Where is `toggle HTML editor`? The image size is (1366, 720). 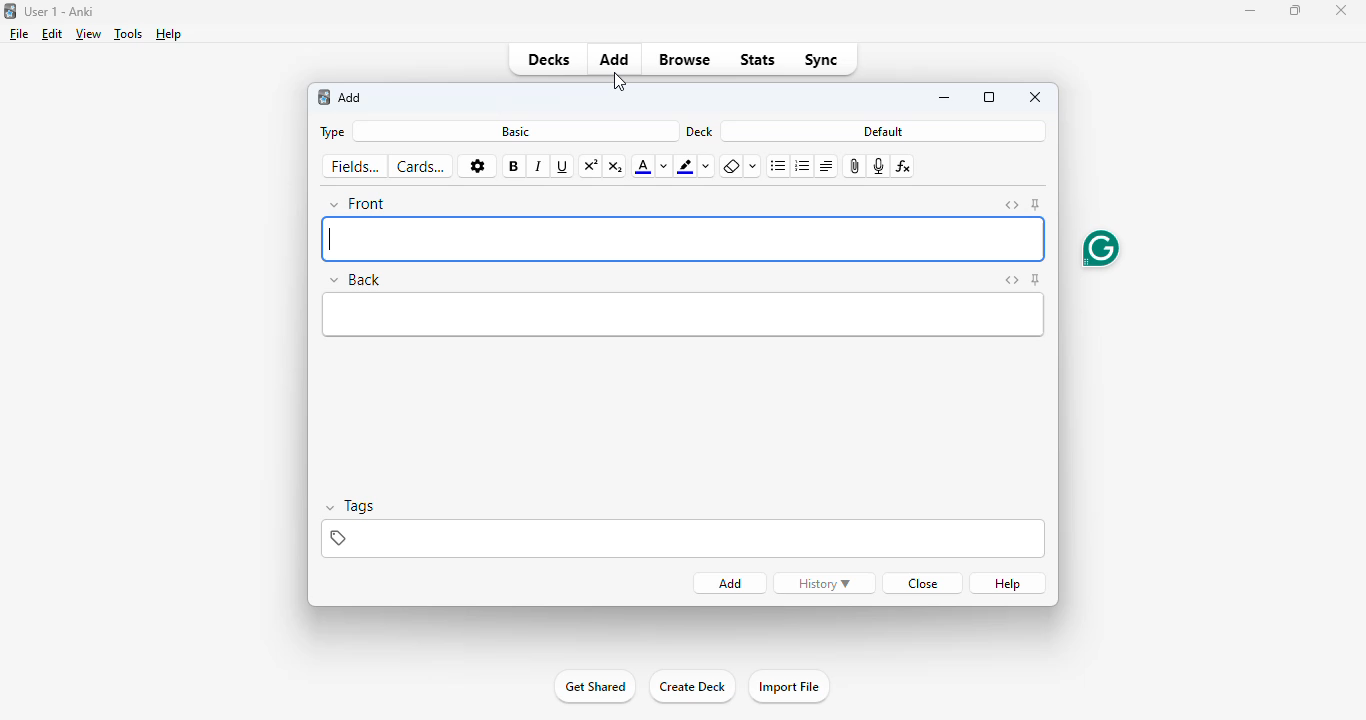
toggle HTML editor is located at coordinates (1012, 205).